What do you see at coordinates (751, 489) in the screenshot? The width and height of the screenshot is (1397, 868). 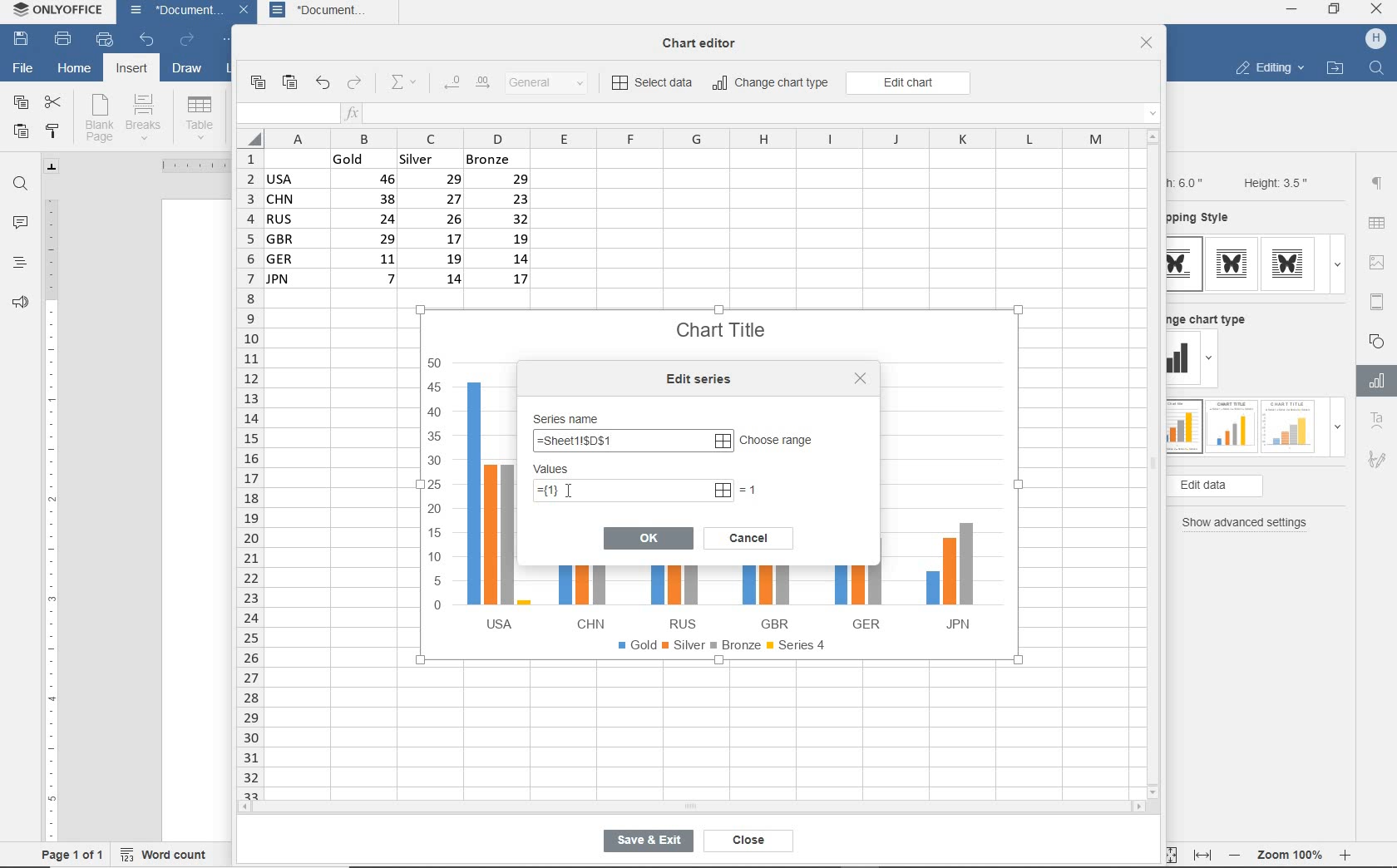 I see `=1` at bounding box center [751, 489].